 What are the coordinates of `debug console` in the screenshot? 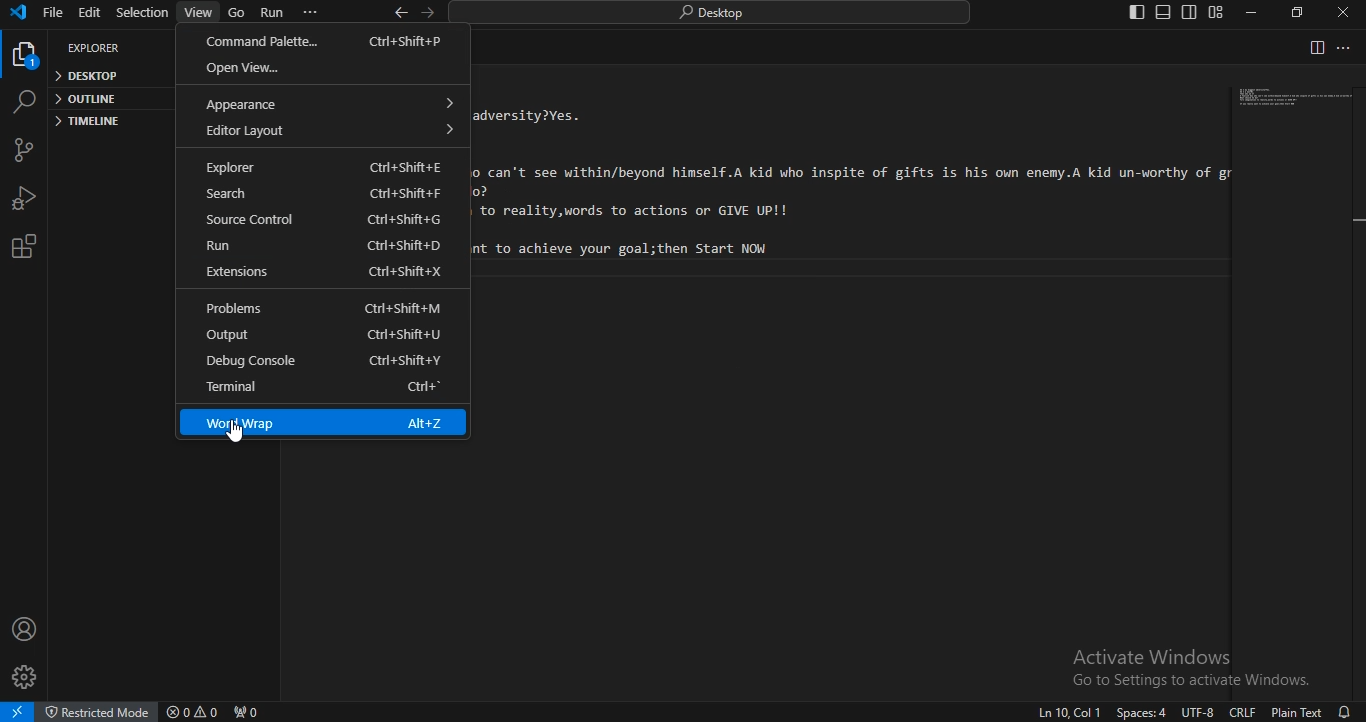 It's located at (326, 362).